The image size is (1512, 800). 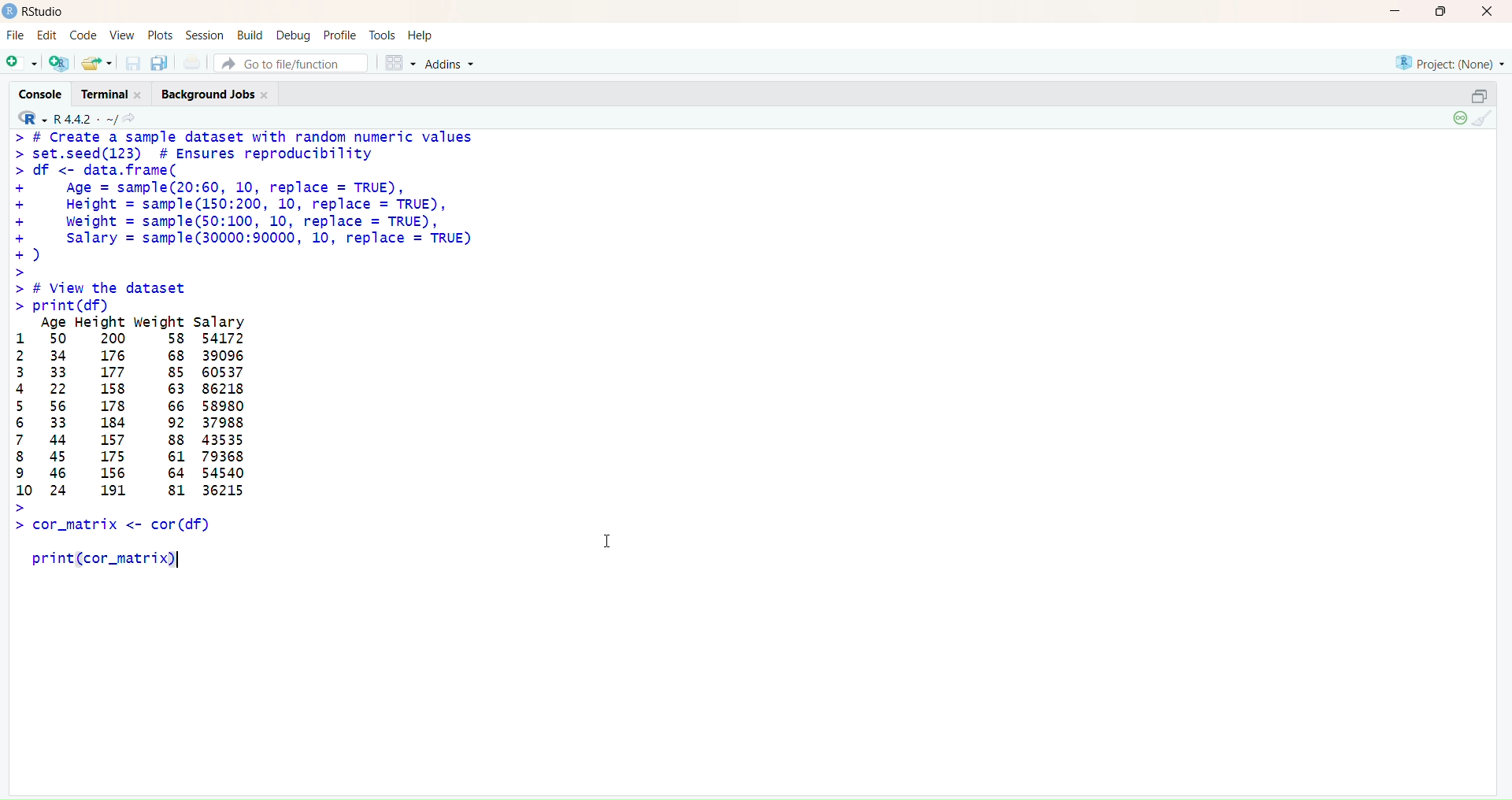 What do you see at coordinates (117, 94) in the screenshot?
I see `Terminal` at bounding box center [117, 94].